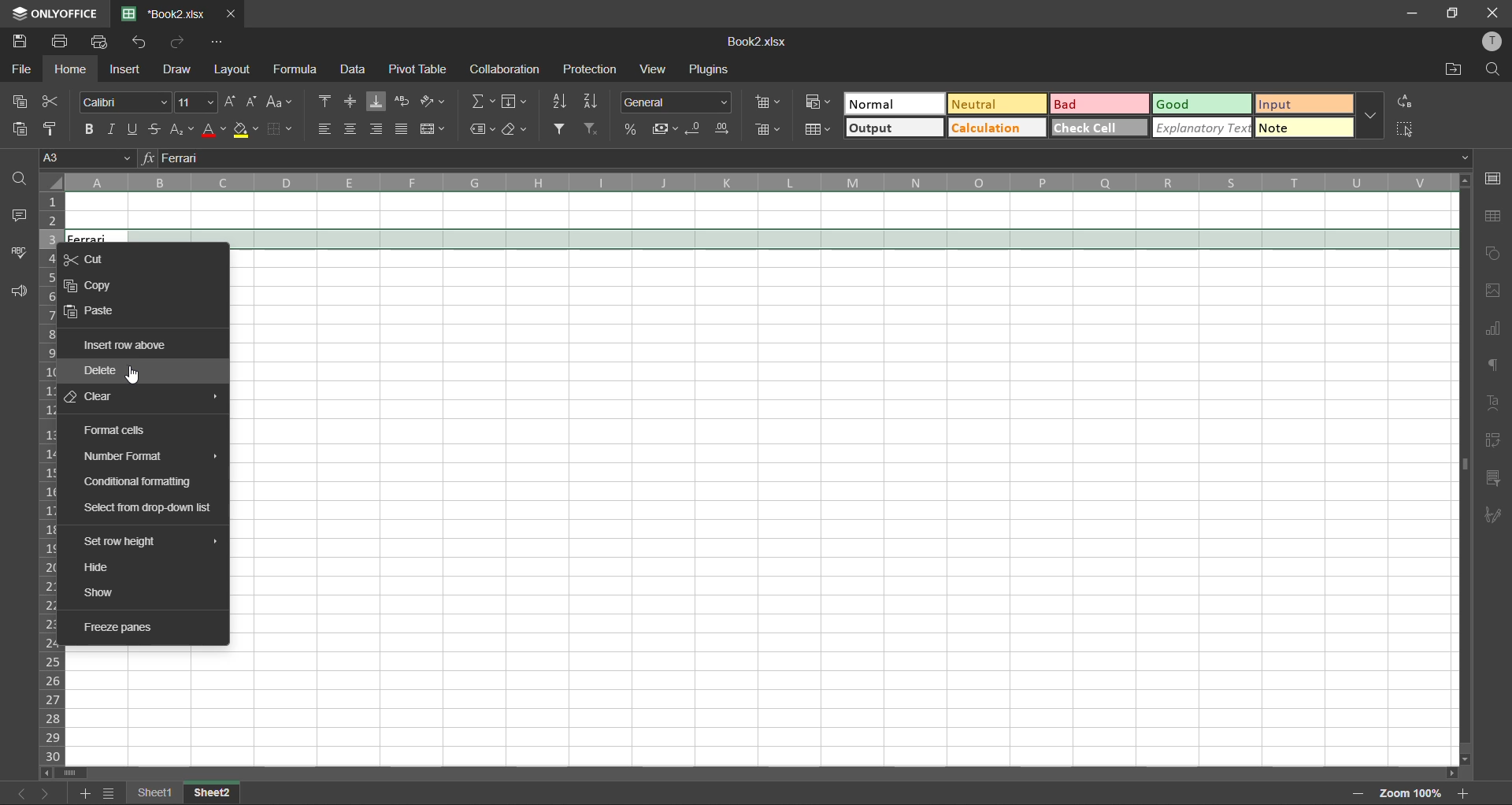 This screenshot has height=805, width=1512. What do you see at coordinates (94, 284) in the screenshot?
I see `copy` at bounding box center [94, 284].